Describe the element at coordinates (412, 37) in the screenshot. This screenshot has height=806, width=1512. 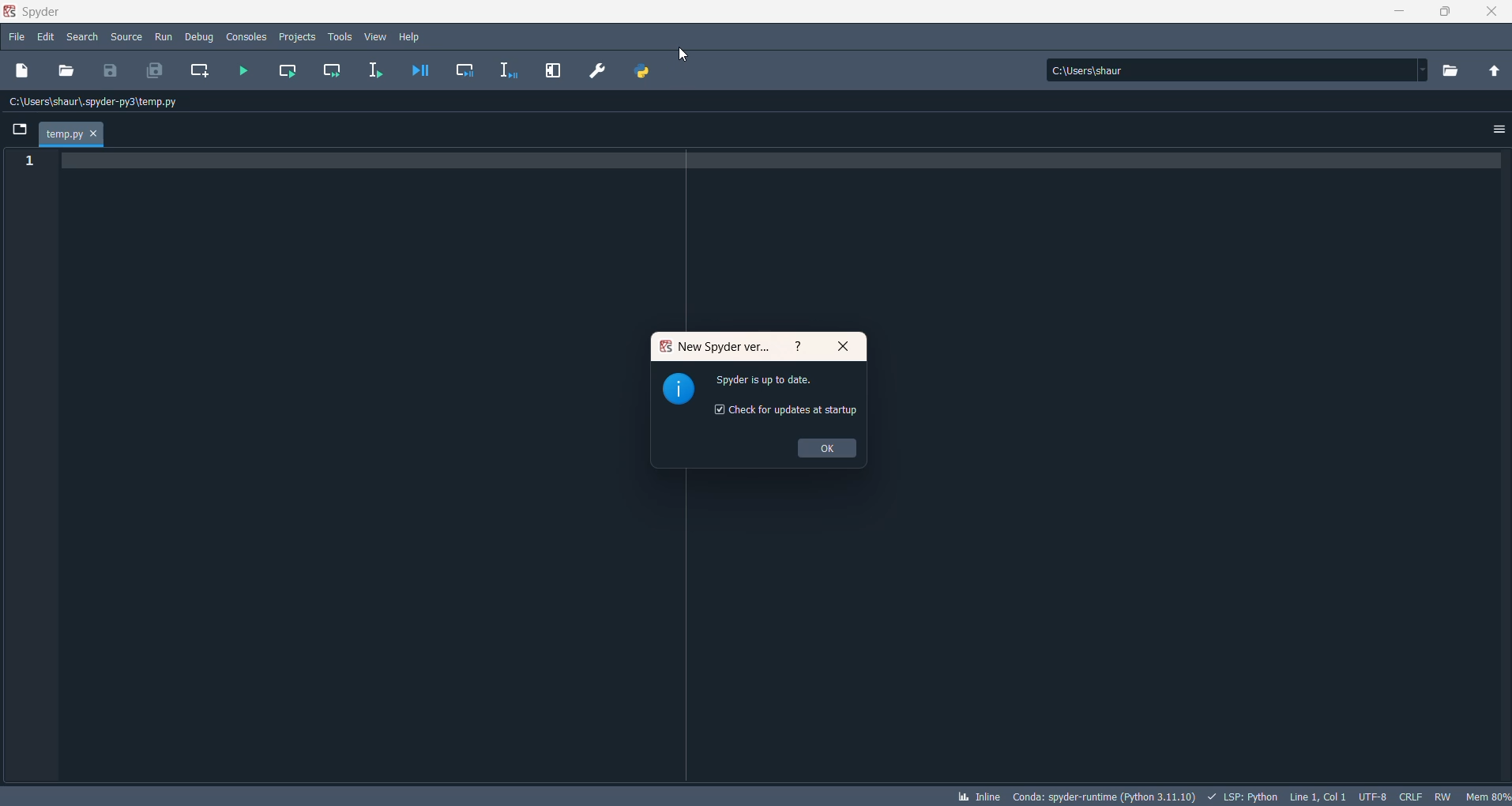
I see `help` at that location.